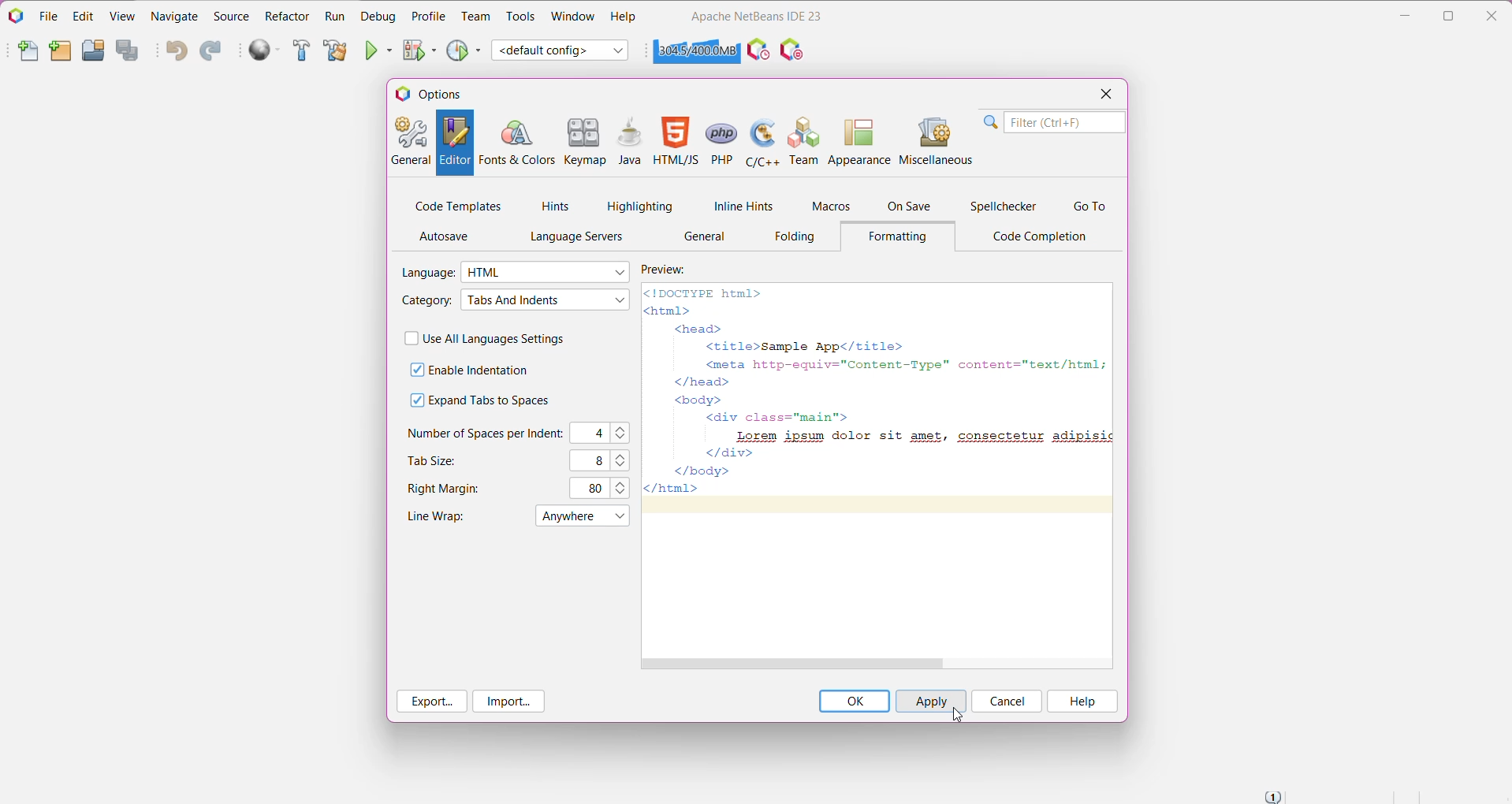 The width and height of the screenshot is (1512, 804). Describe the element at coordinates (92, 50) in the screenshot. I see `Open Project` at that location.